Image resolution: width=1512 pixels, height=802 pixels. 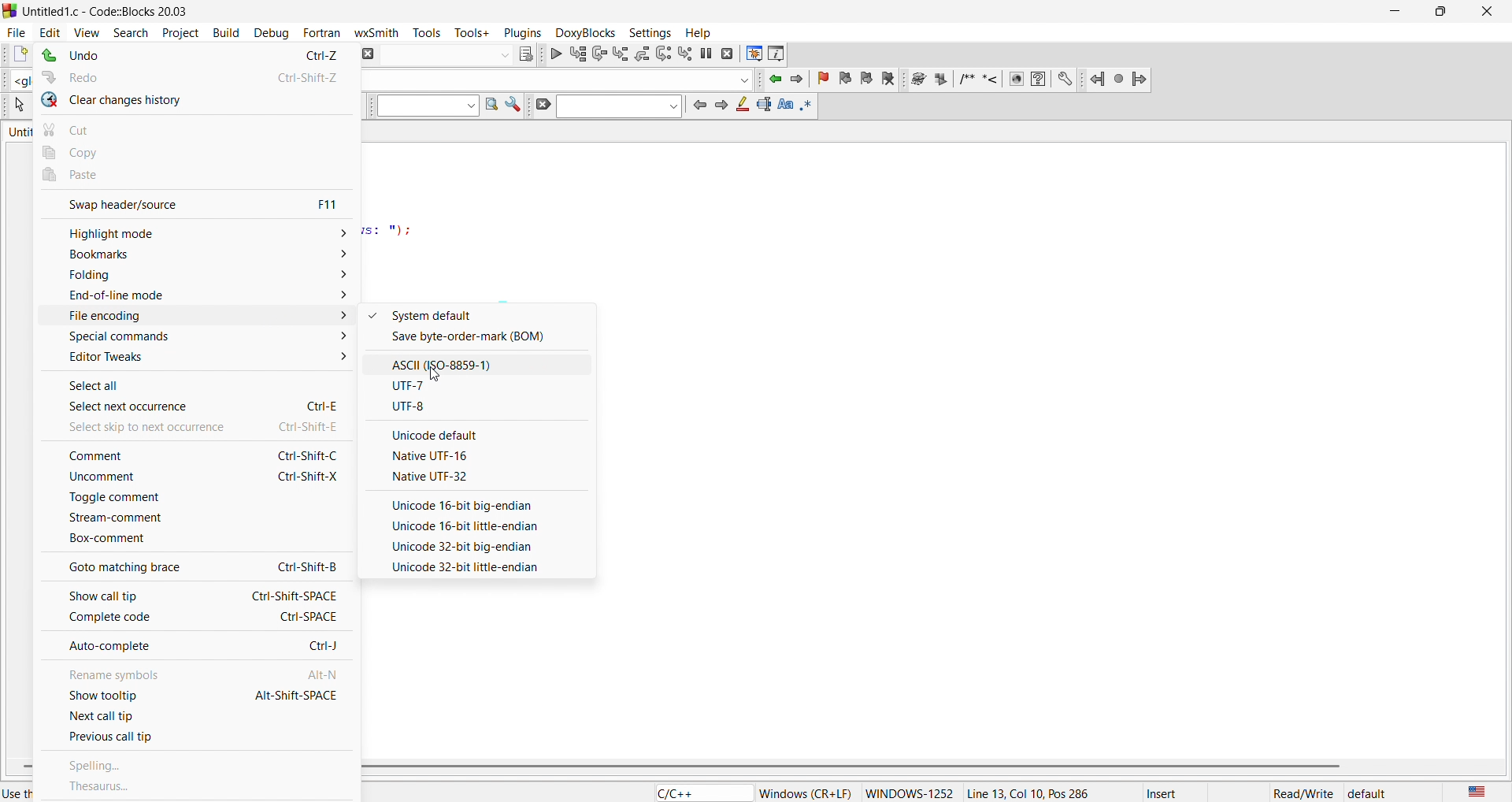 I want to click on input box, so click(x=420, y=106).